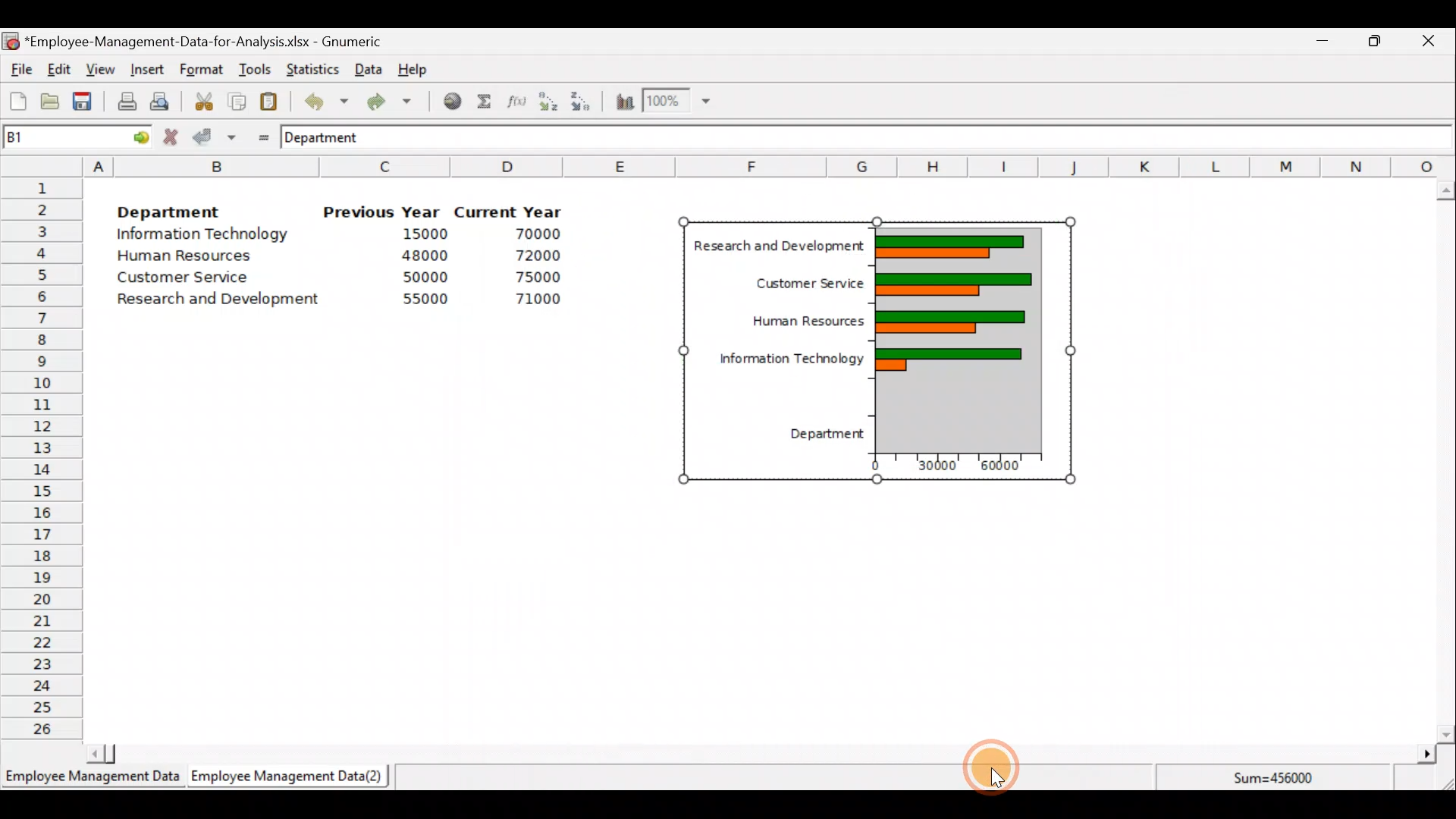 Image resolution: width=1456 pixels, height=819 pixels. I want to click on Scroll bar, so click(760, 752).